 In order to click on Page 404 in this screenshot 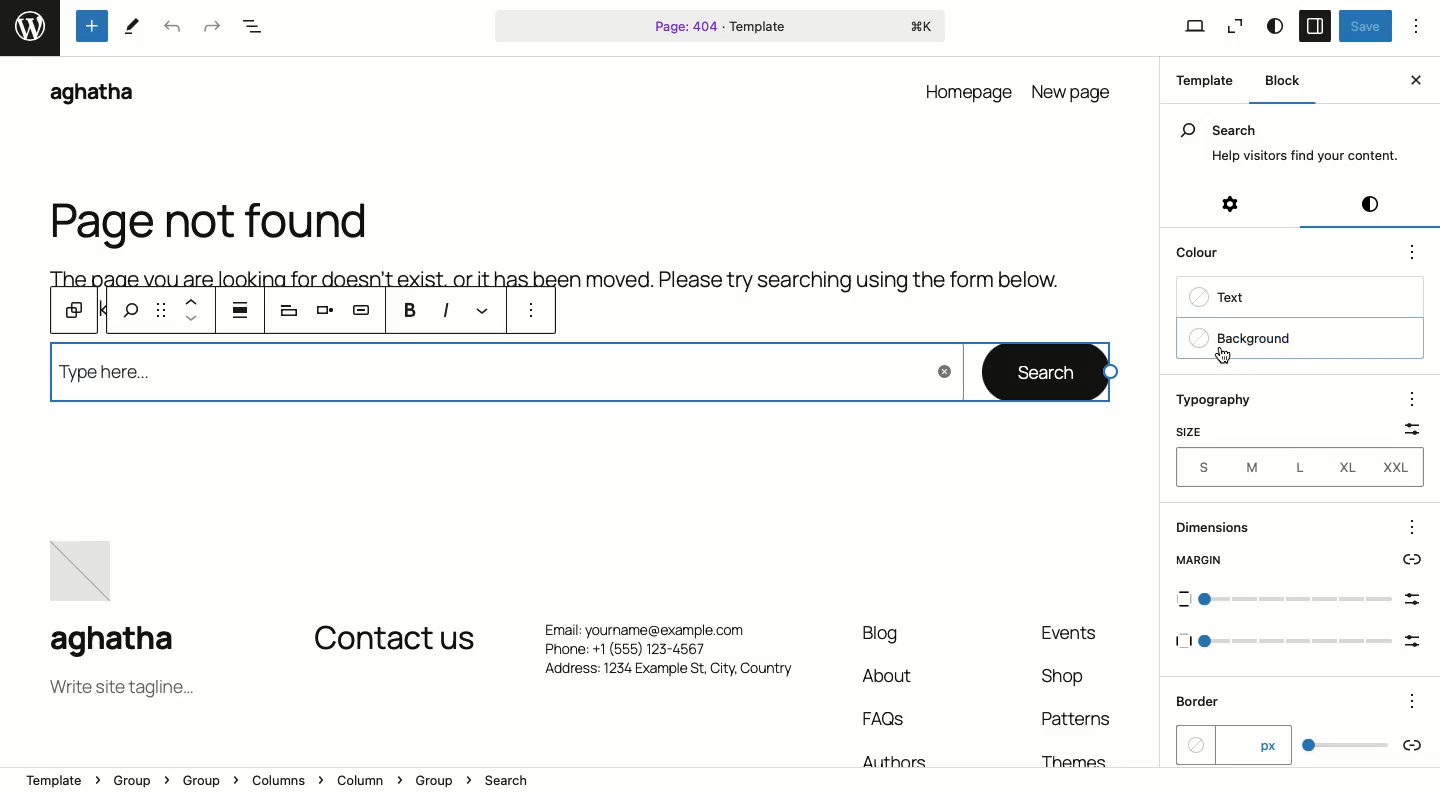, I will do `click(722, 25)`.